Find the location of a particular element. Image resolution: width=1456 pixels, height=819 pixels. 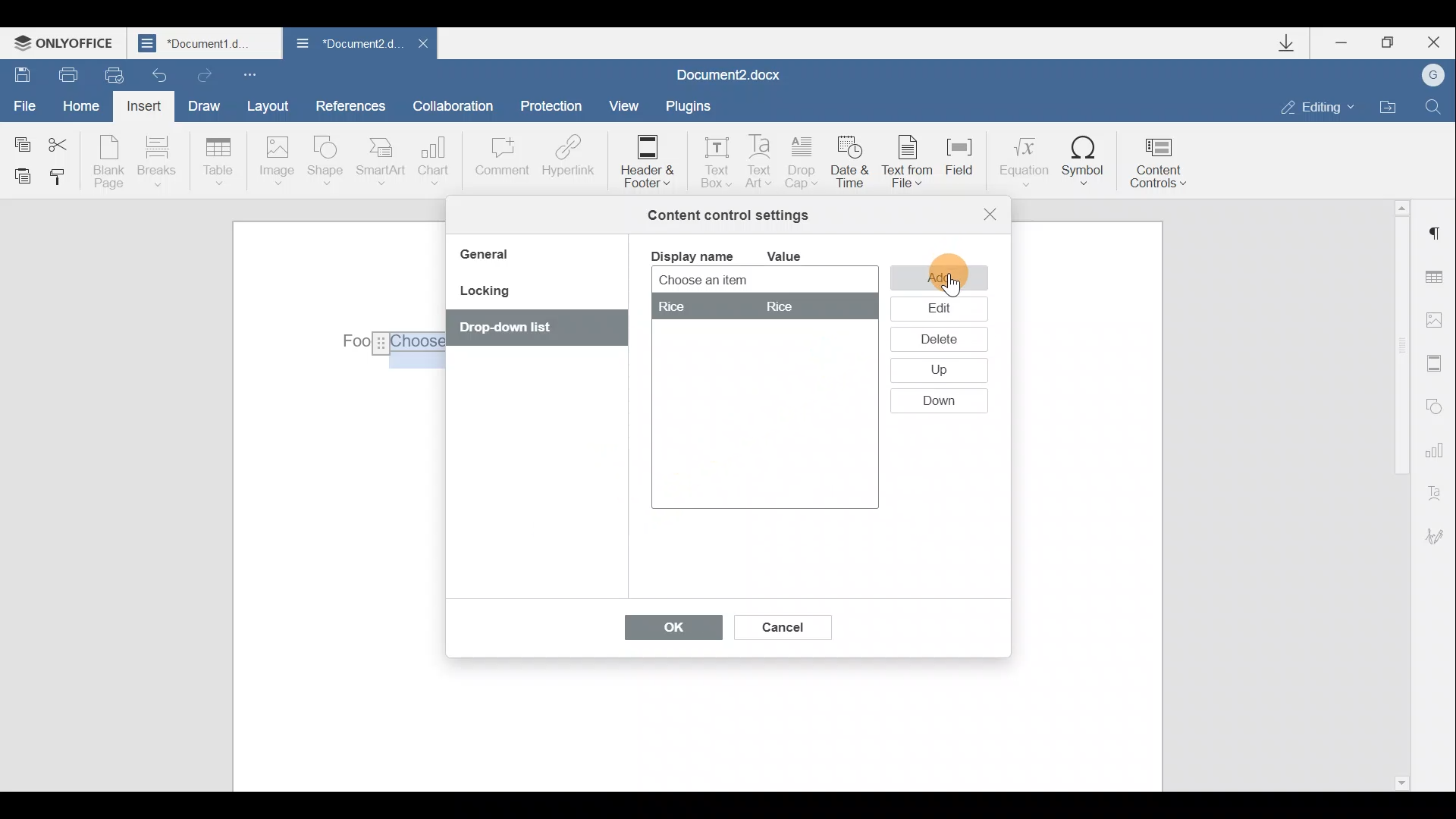

Choose an item is located at coordinates (740, 281).